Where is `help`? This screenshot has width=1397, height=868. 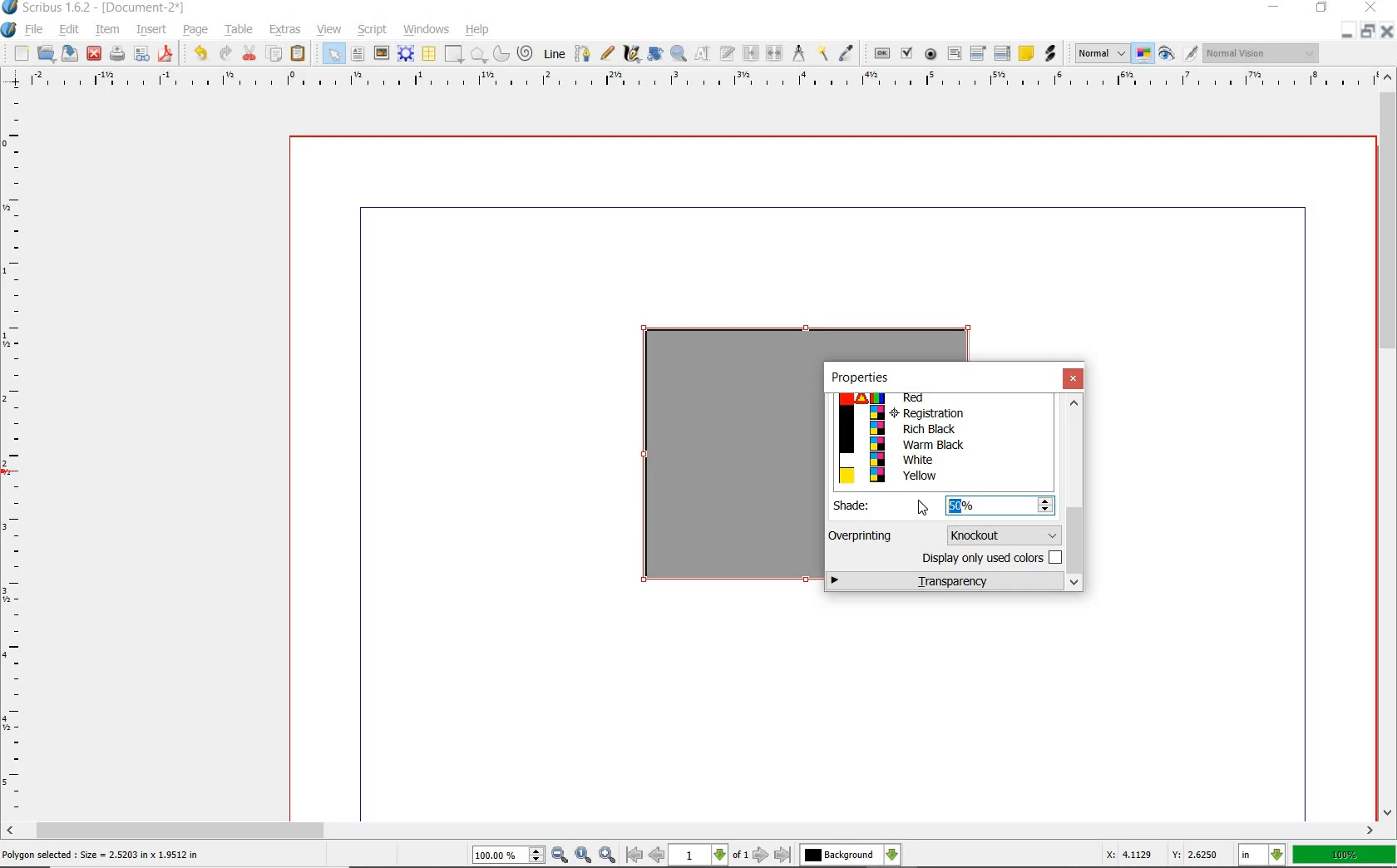 help is located at coordinates (479, 31).